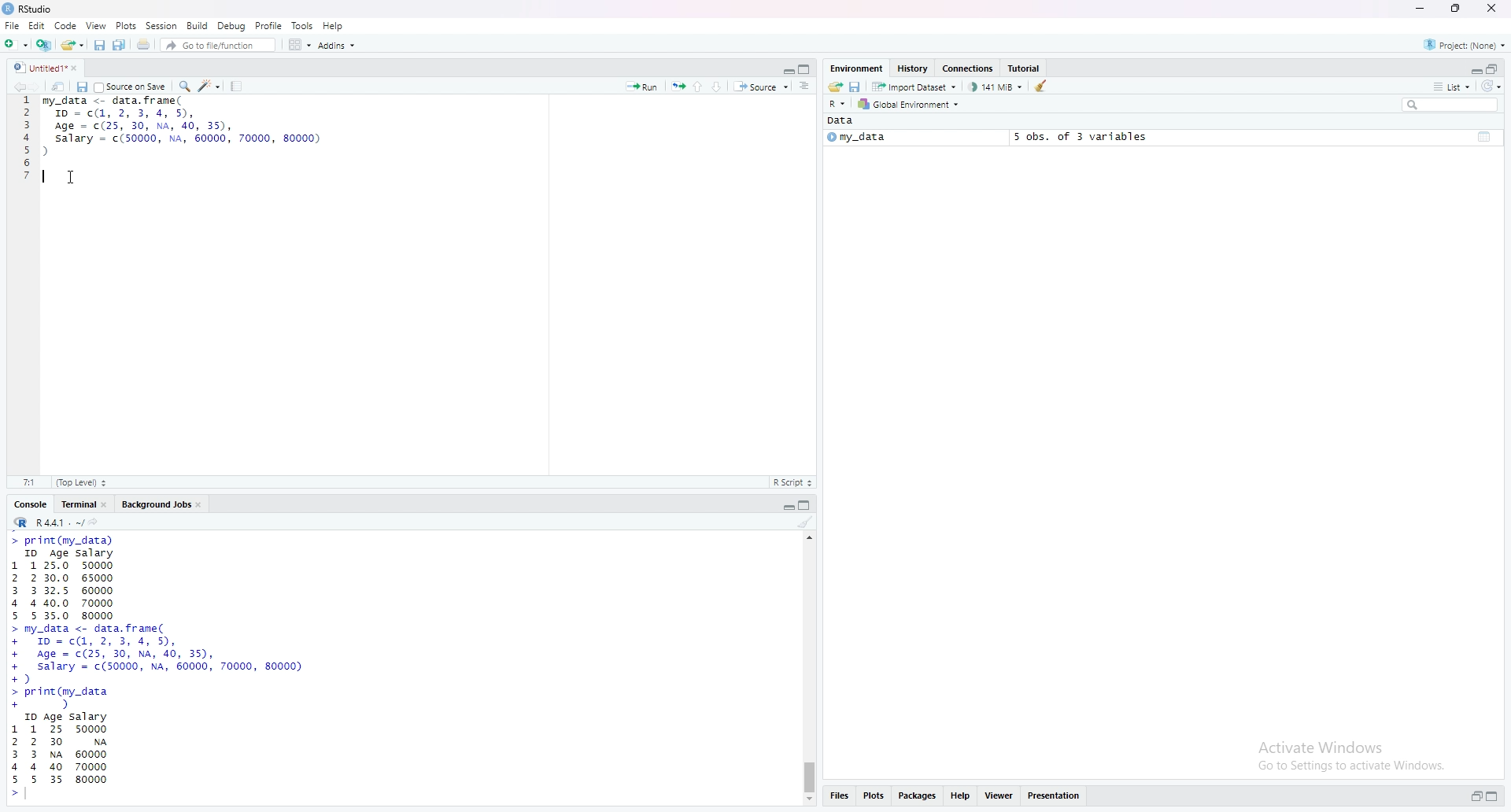 Image resolution: width=1511 pixels, height=812 pixels. Describe the element at coordinates (841, 121) in the screenshot. I see `Data` at that location.